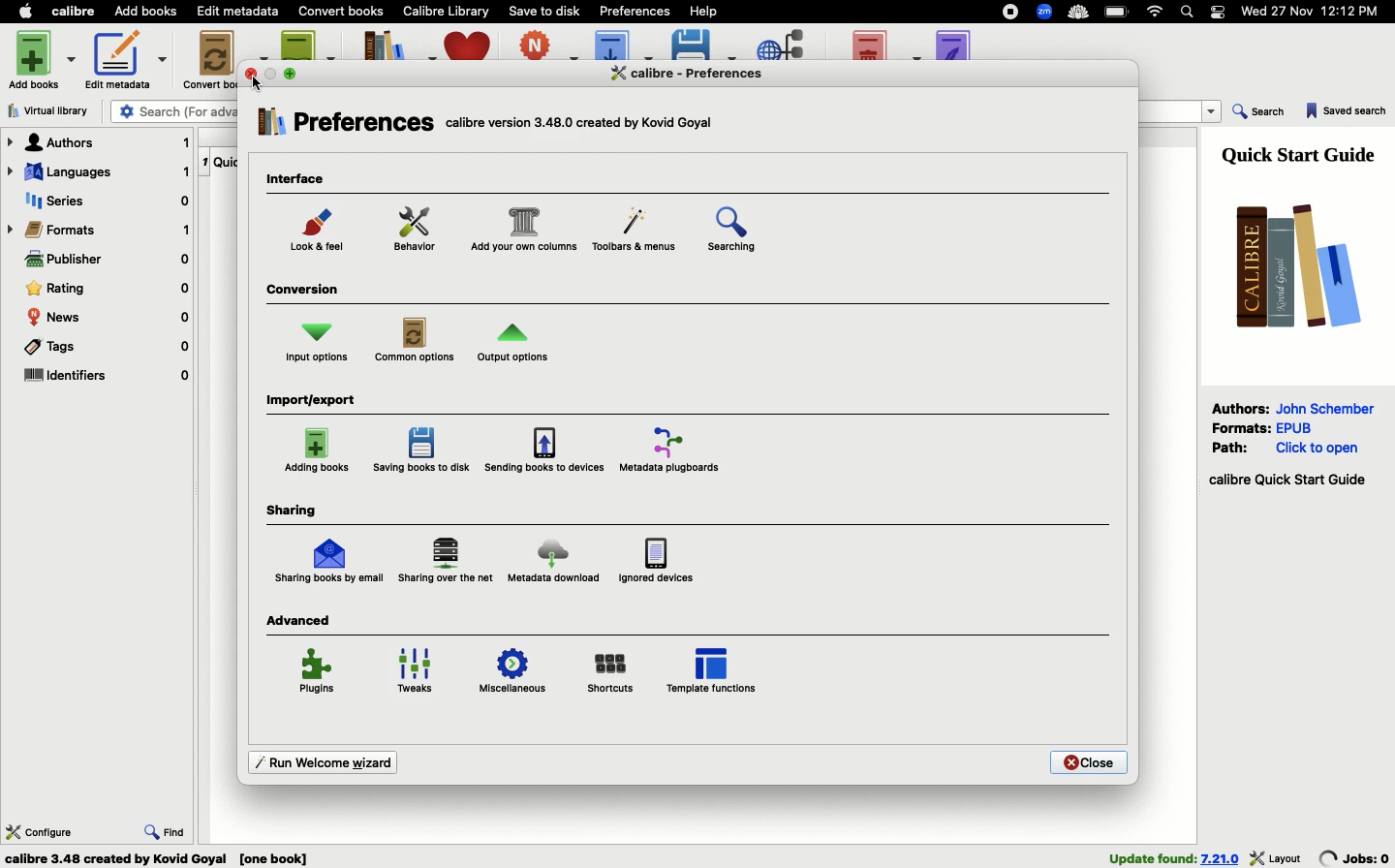 This screenshot has height=868, width=1395. What do you see at coordinates (99, 142) in the screenshot?
I see `Authors` at bounding box center [99, 142].